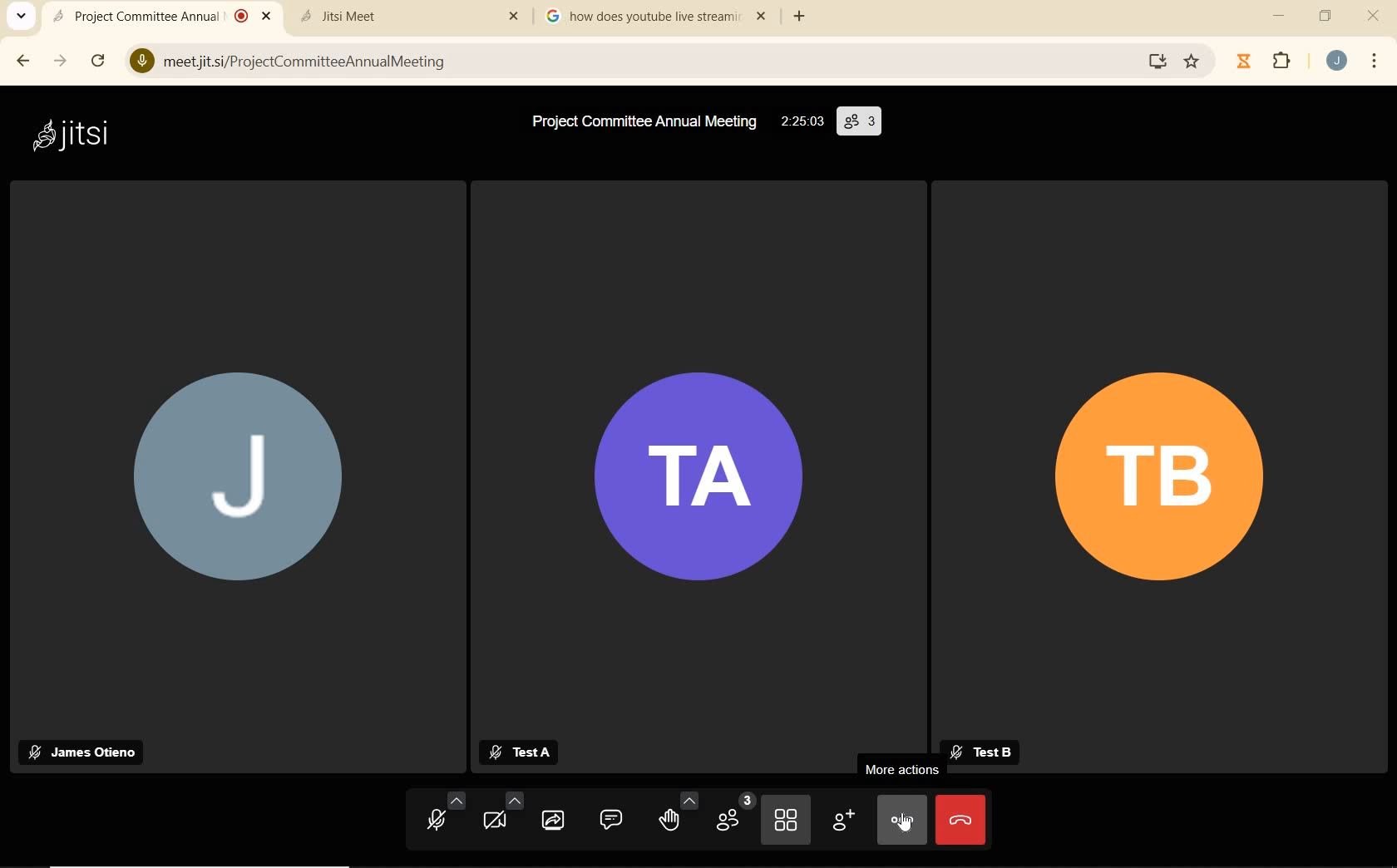 The image size is (1397, 868). Describe the element at coordinates (22, 17) in the screenshot. I see `search tabs` at that location.